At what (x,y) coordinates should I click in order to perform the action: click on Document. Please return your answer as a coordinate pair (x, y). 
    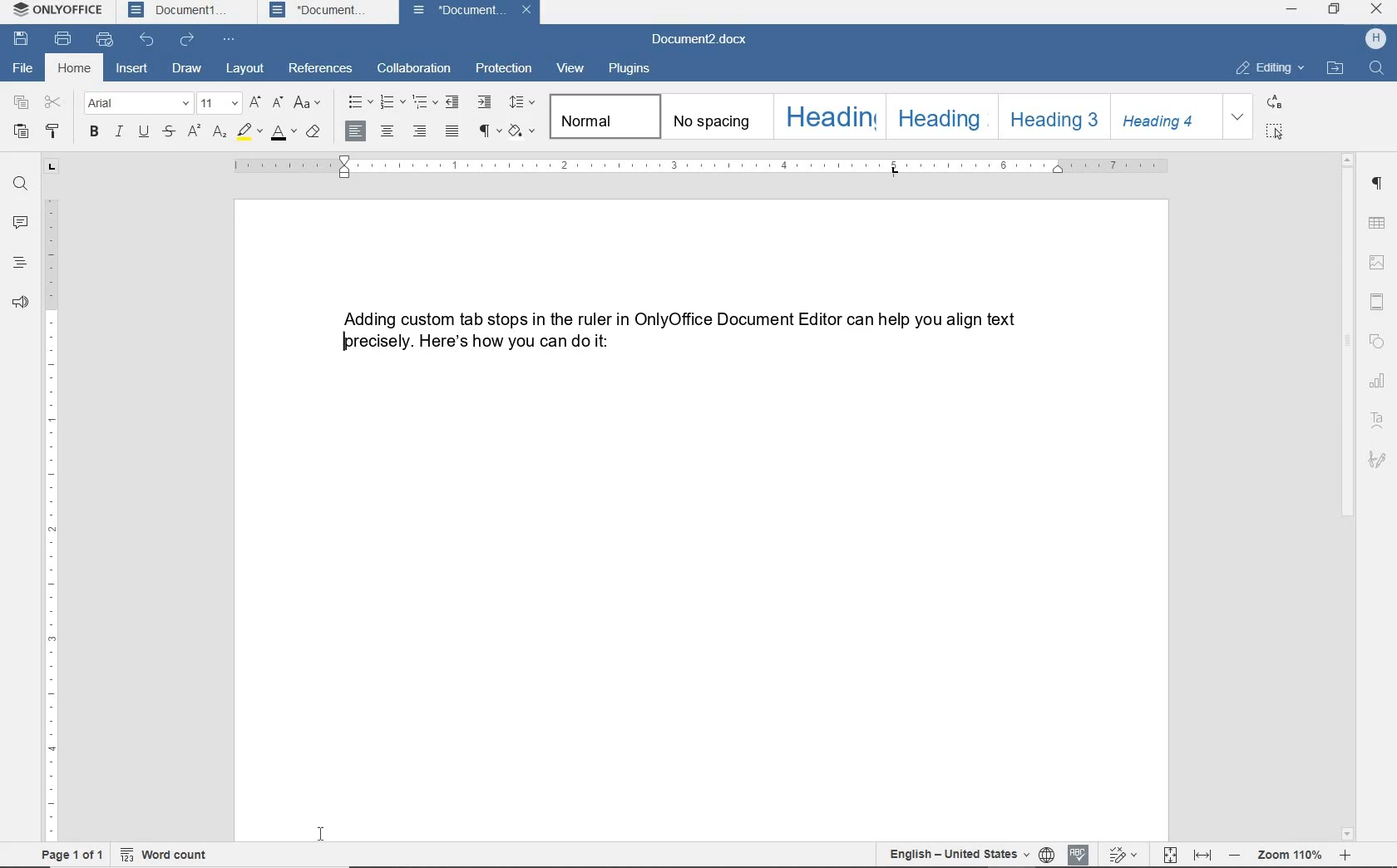
    Looking at the image, I should click on (462, 12).